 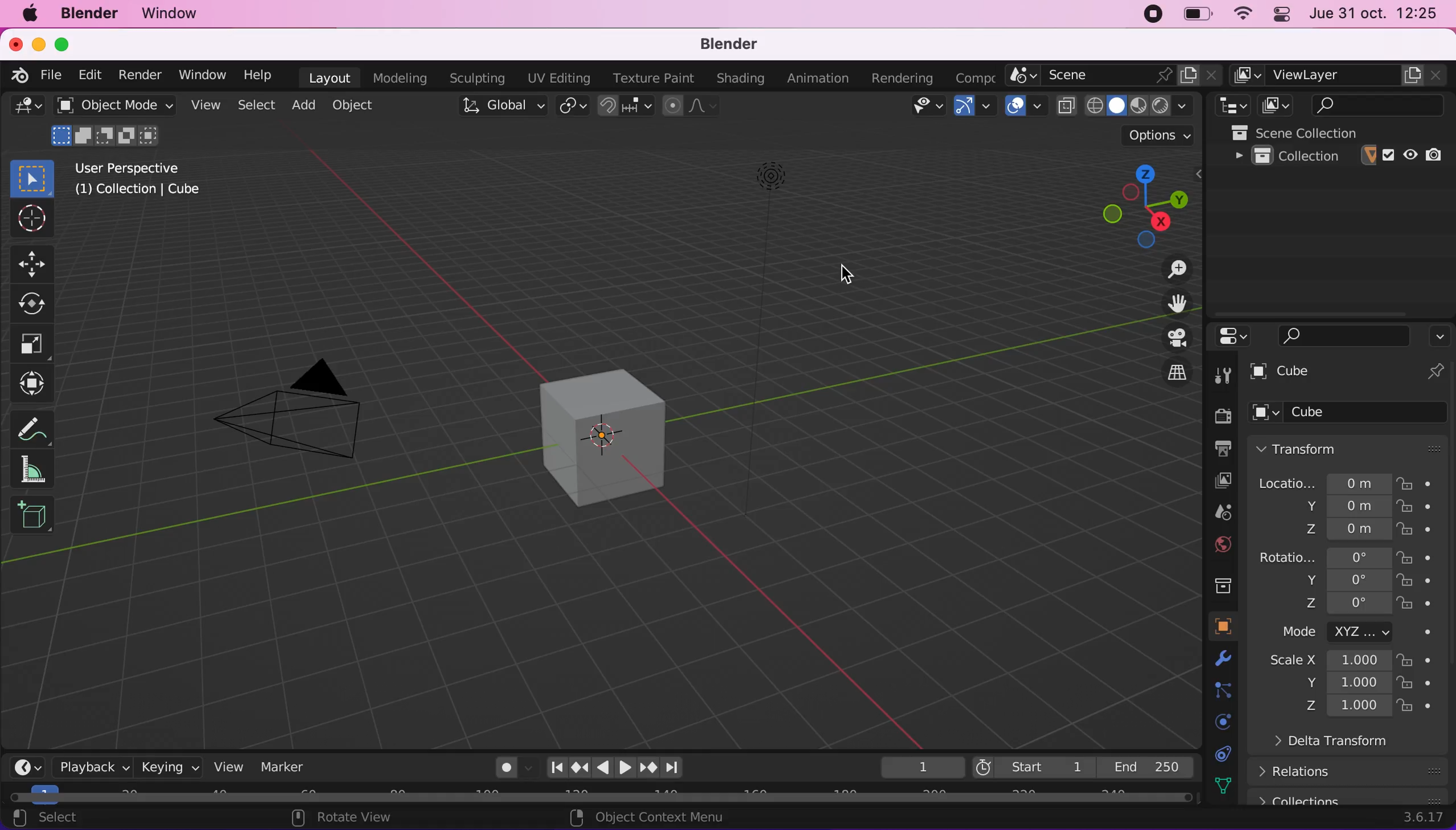 I want to click on window, so click(x=198, y=74).